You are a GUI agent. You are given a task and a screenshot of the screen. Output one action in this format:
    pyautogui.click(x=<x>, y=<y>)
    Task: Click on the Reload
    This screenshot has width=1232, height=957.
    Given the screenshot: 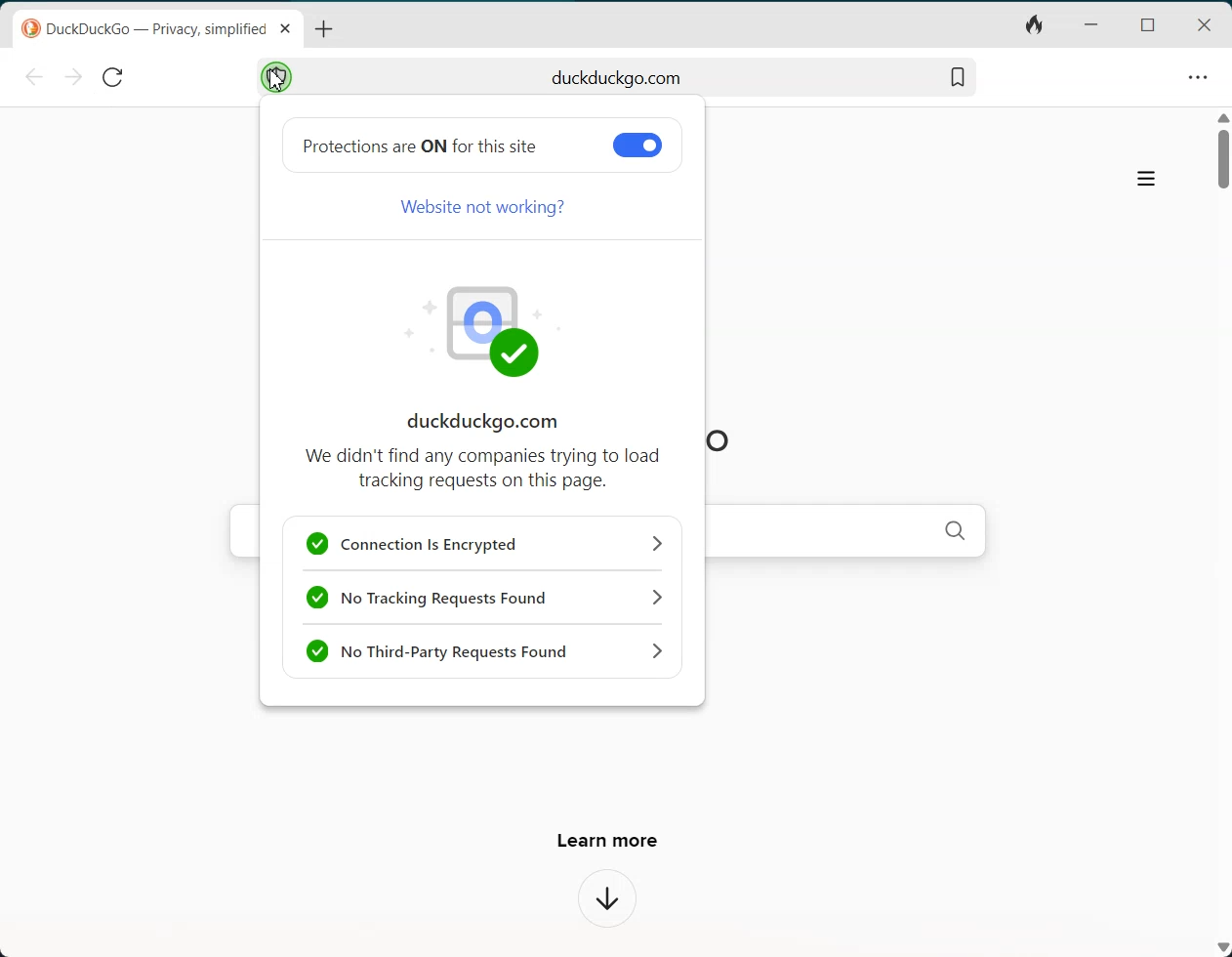 What is the action you would take?
    pyautogui.click(x=111, y=75)
    